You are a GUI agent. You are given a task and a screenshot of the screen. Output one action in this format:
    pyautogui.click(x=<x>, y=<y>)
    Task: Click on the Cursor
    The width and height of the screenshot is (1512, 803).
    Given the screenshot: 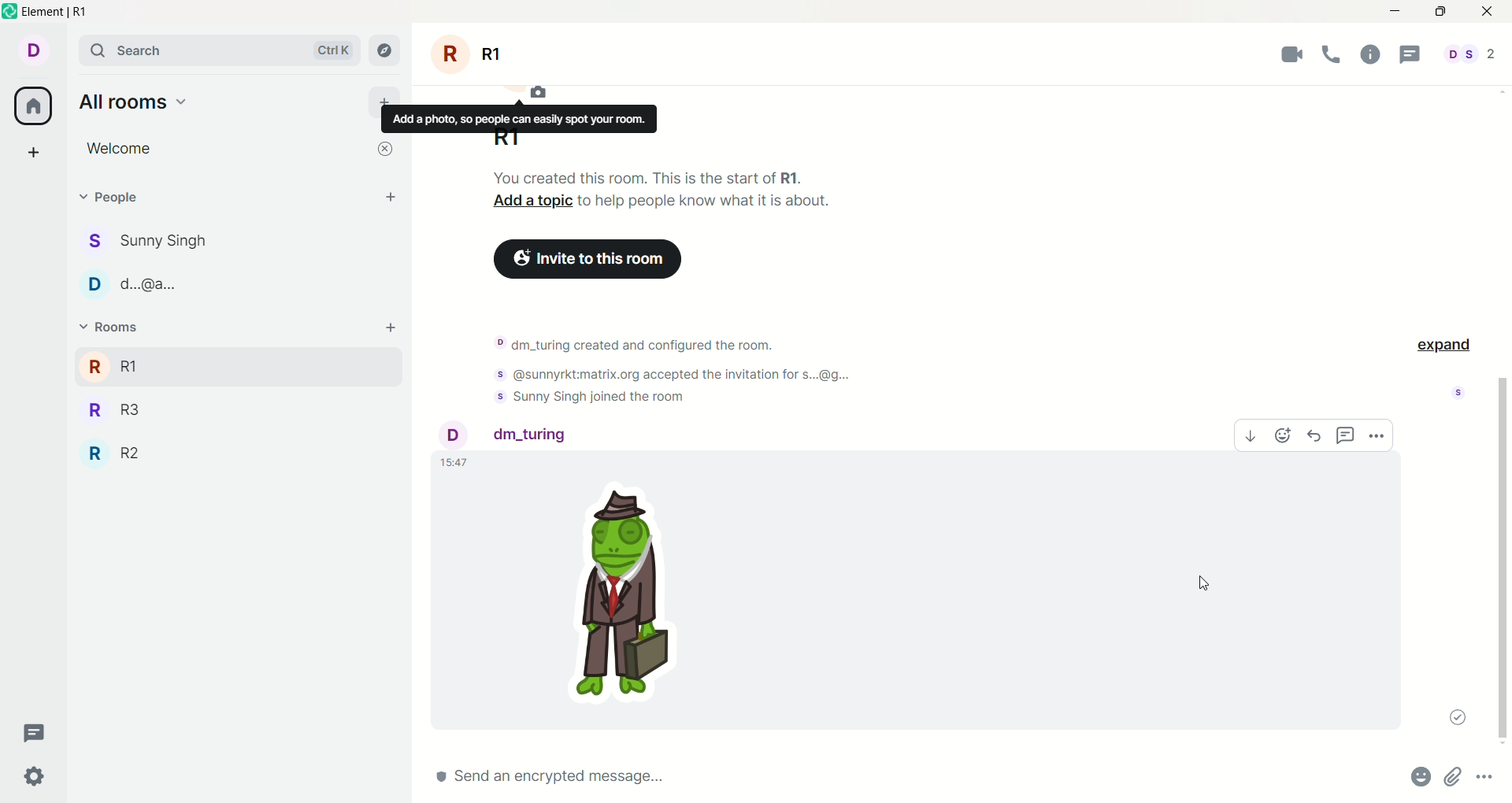 What is the action you would take?
    pyautogui.click(x=1204, y=583)
    